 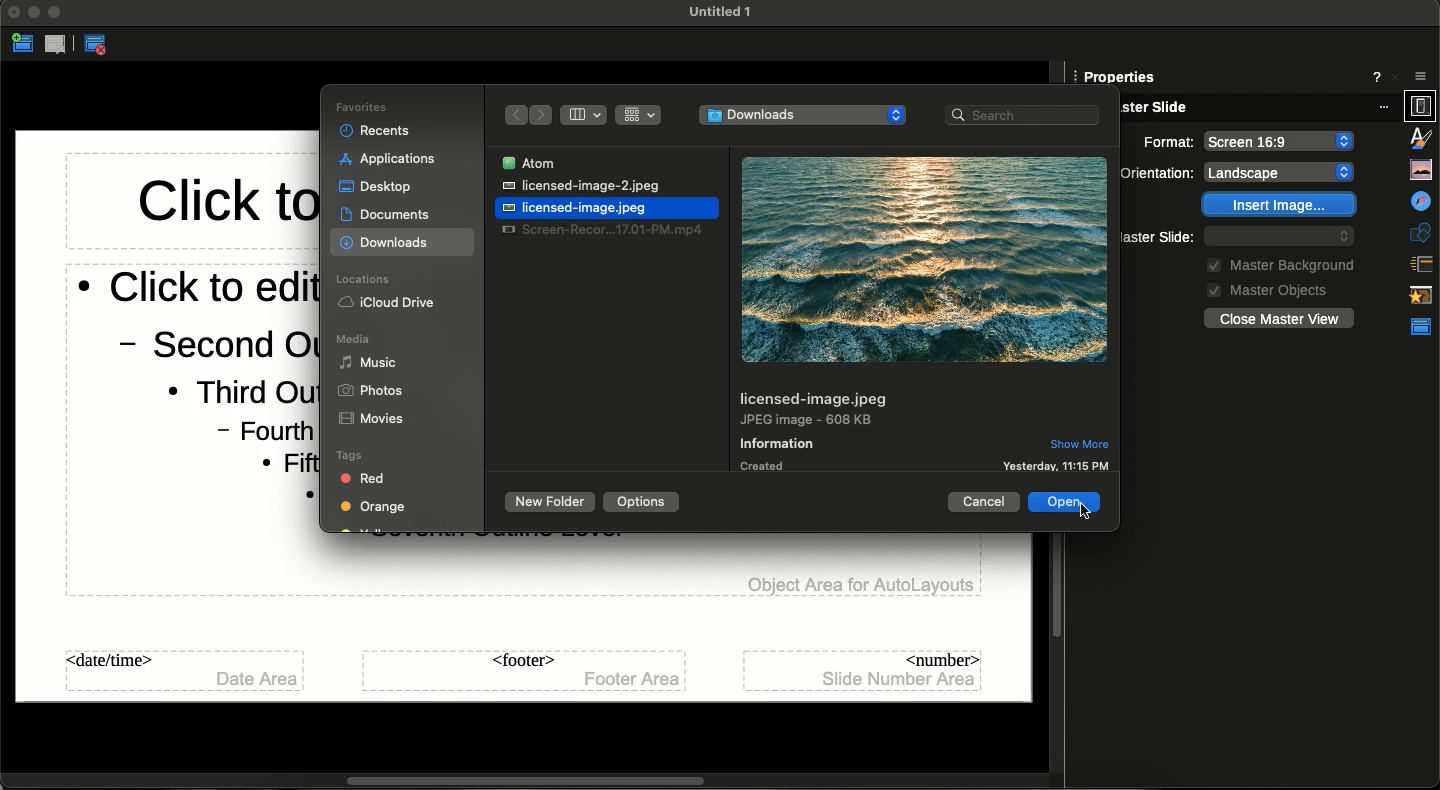 What do you see at coordinates (845, 585) in the screenshot?
I see `Objects area` at bounding box center [845, 585].